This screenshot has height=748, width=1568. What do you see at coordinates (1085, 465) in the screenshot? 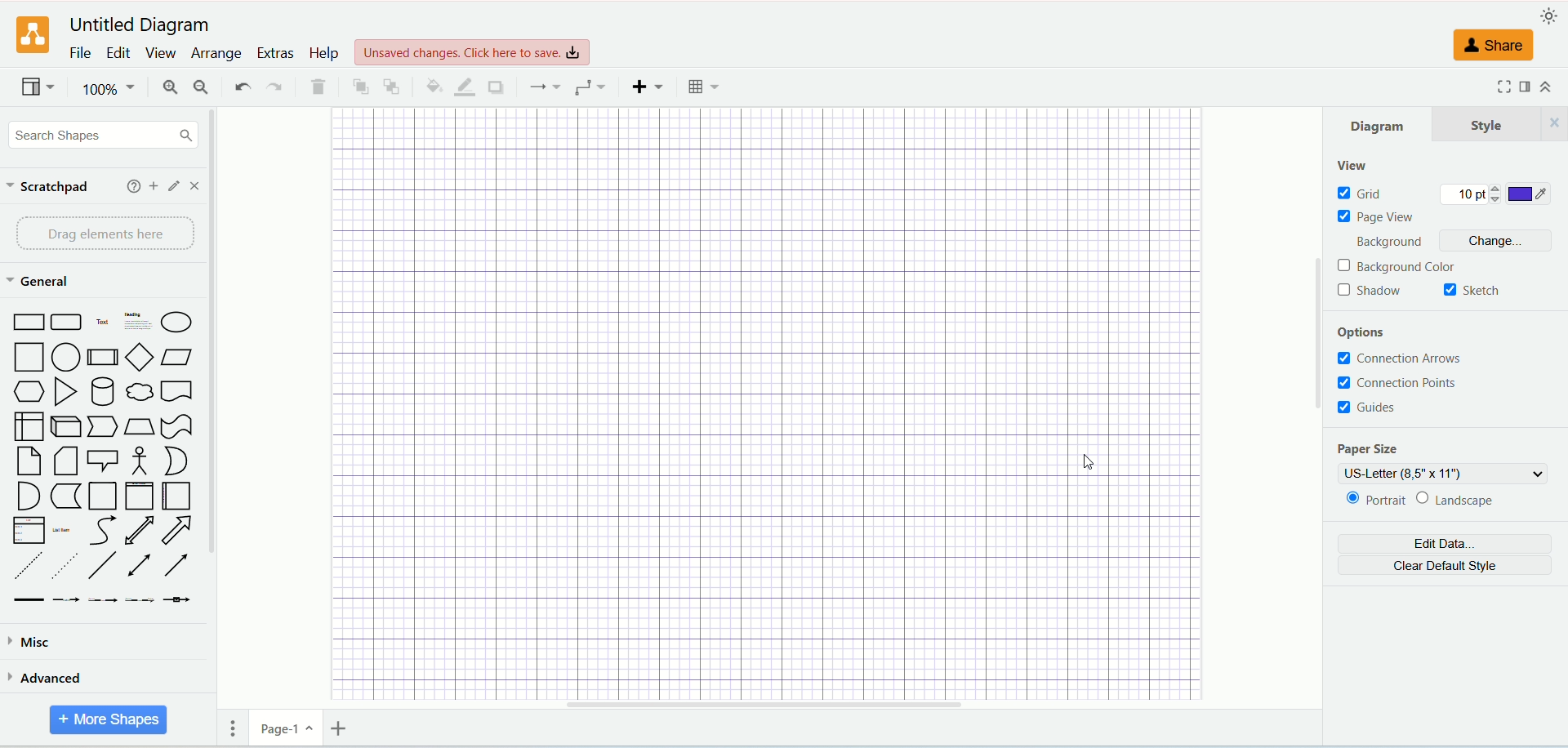
I see `Cursor Position` at bounding box center [1085, 465].